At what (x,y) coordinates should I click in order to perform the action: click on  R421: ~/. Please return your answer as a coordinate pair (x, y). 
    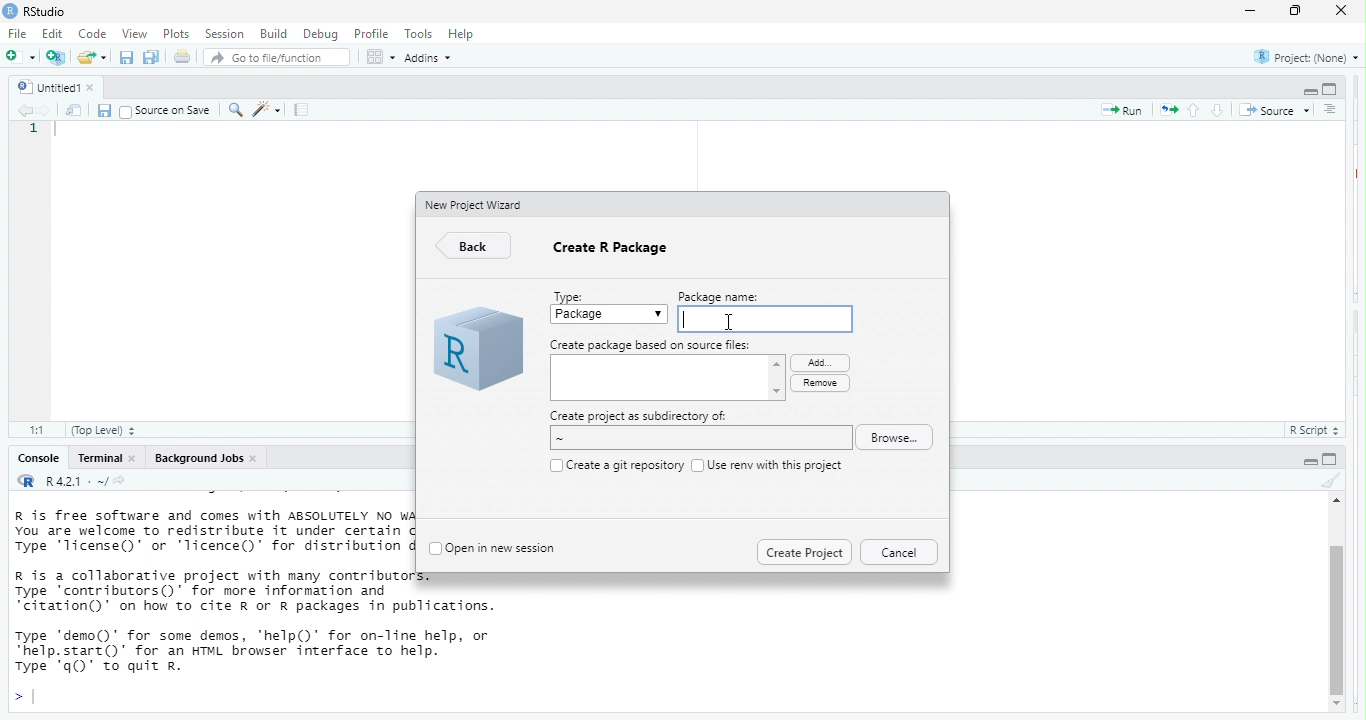
    Looking at the image, I should click on (96, 481).